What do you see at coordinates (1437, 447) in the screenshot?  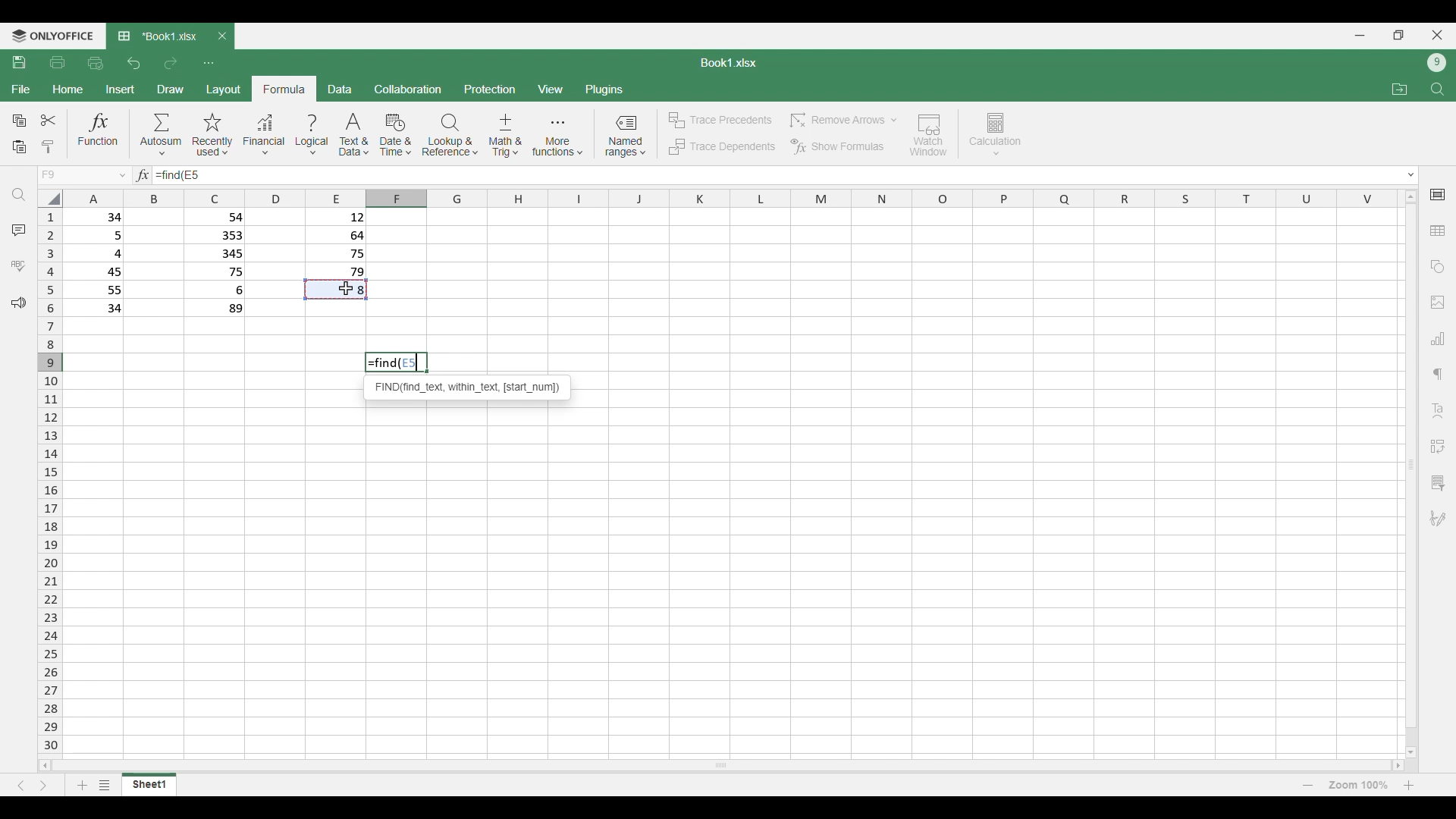 I see `Insert pivot table` at bounding box center [1437, 447].